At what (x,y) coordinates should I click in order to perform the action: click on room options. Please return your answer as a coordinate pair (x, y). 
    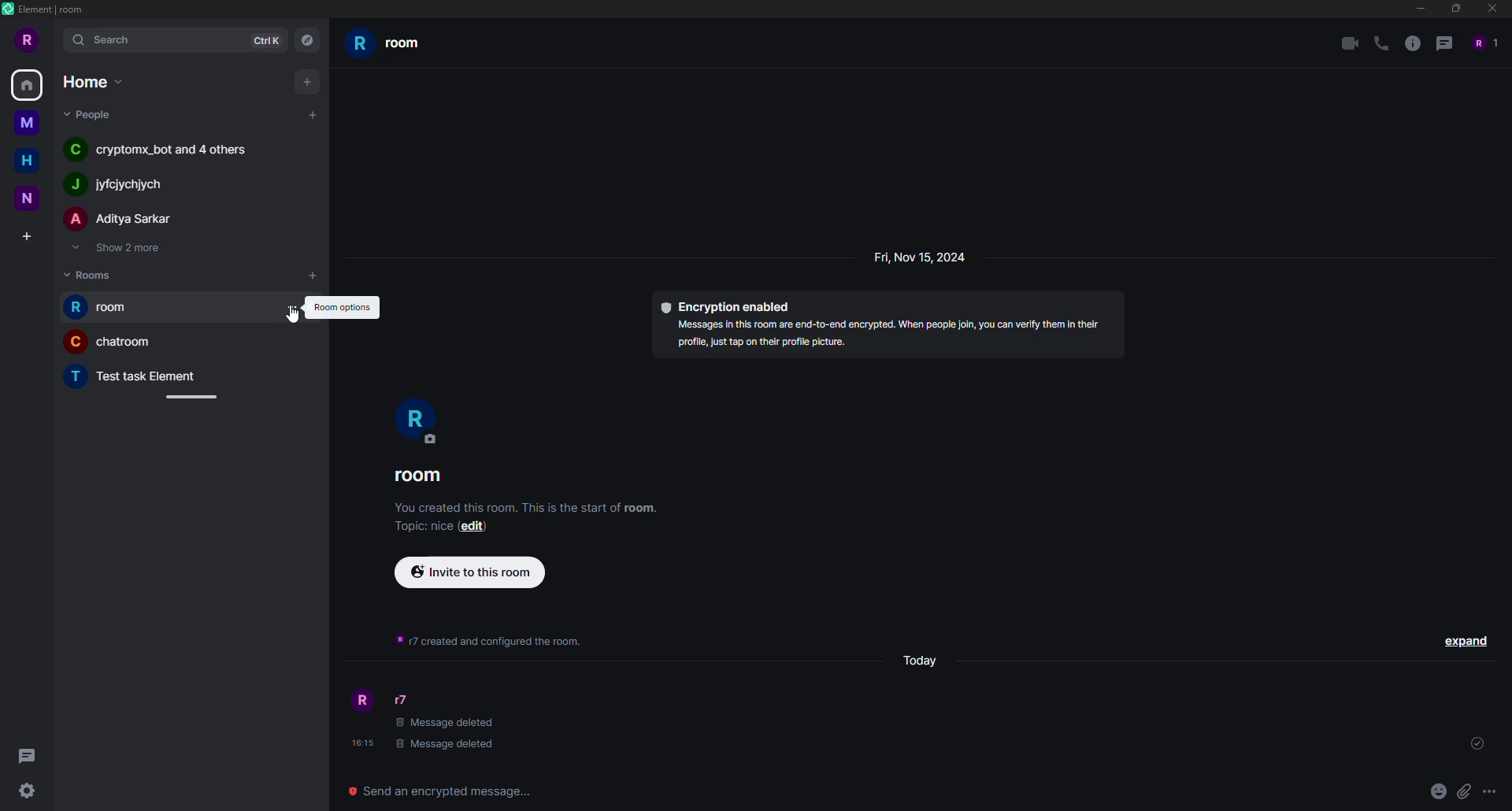
    Looking at the image, I should click on (289, 307).